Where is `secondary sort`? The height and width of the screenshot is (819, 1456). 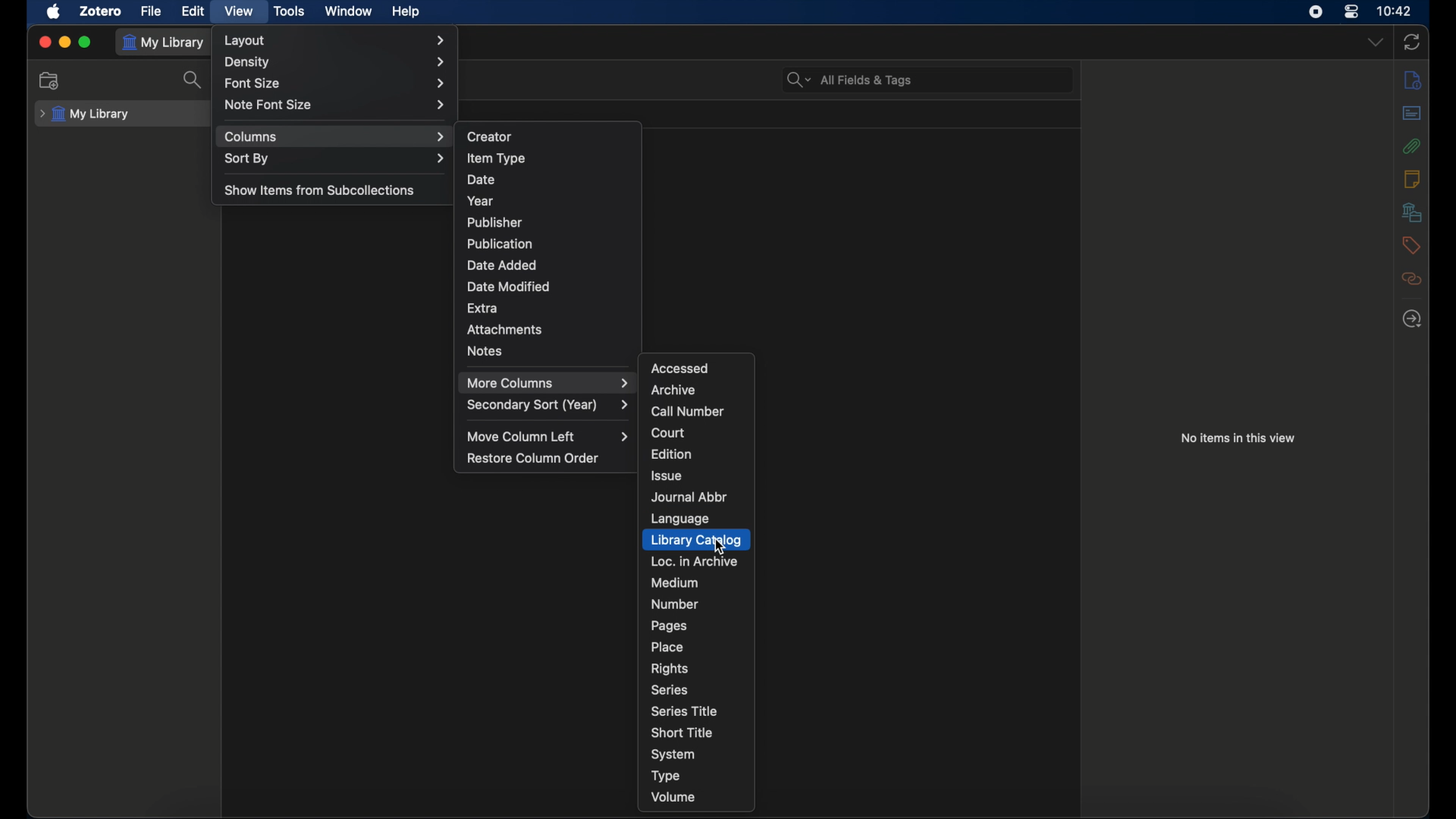
secondary sort is located at coordinates (549, 406).